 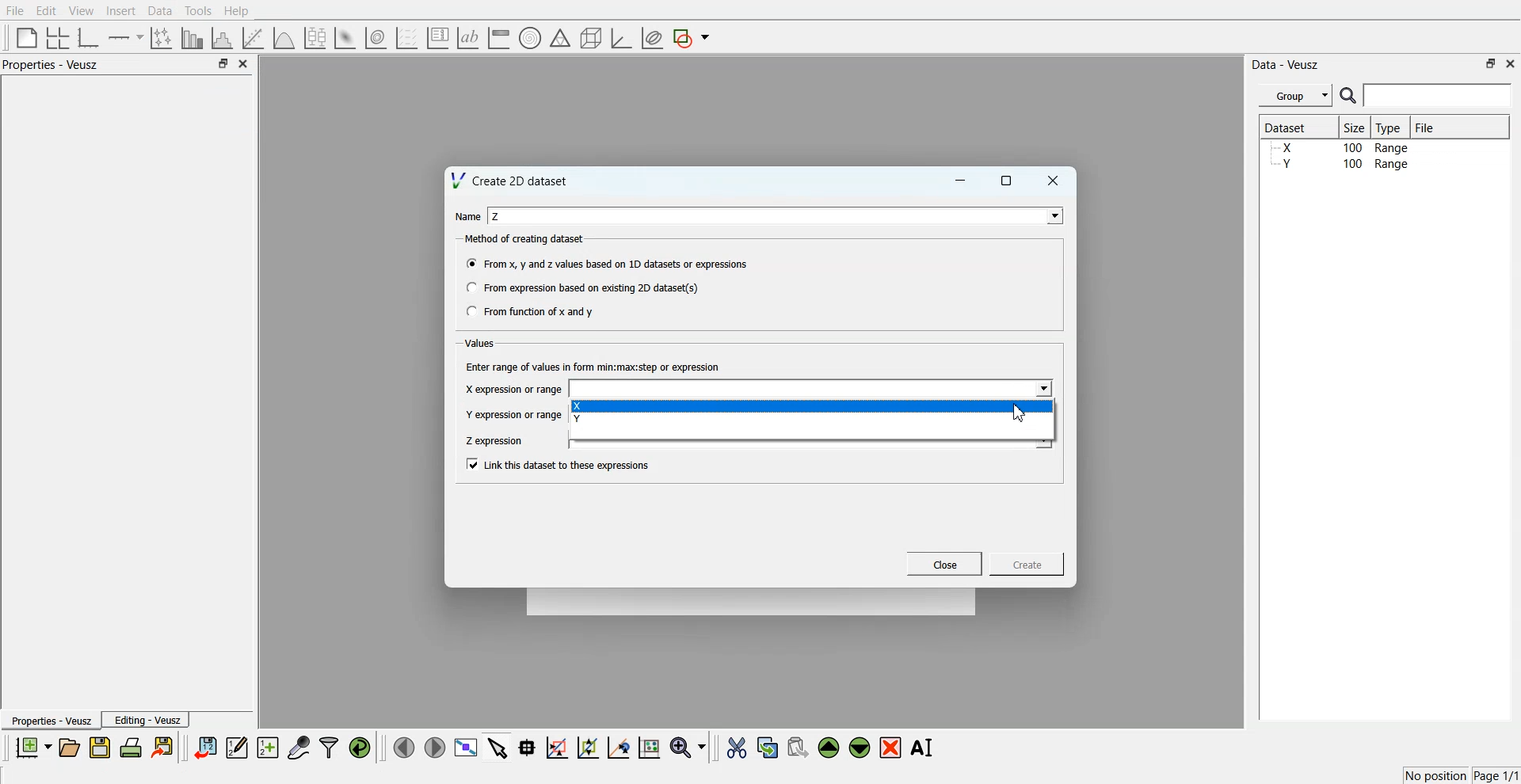 What do you see at coordinates (1054, 181) in the screenshot?
I see `Close` at bounding box center [1054, 181].